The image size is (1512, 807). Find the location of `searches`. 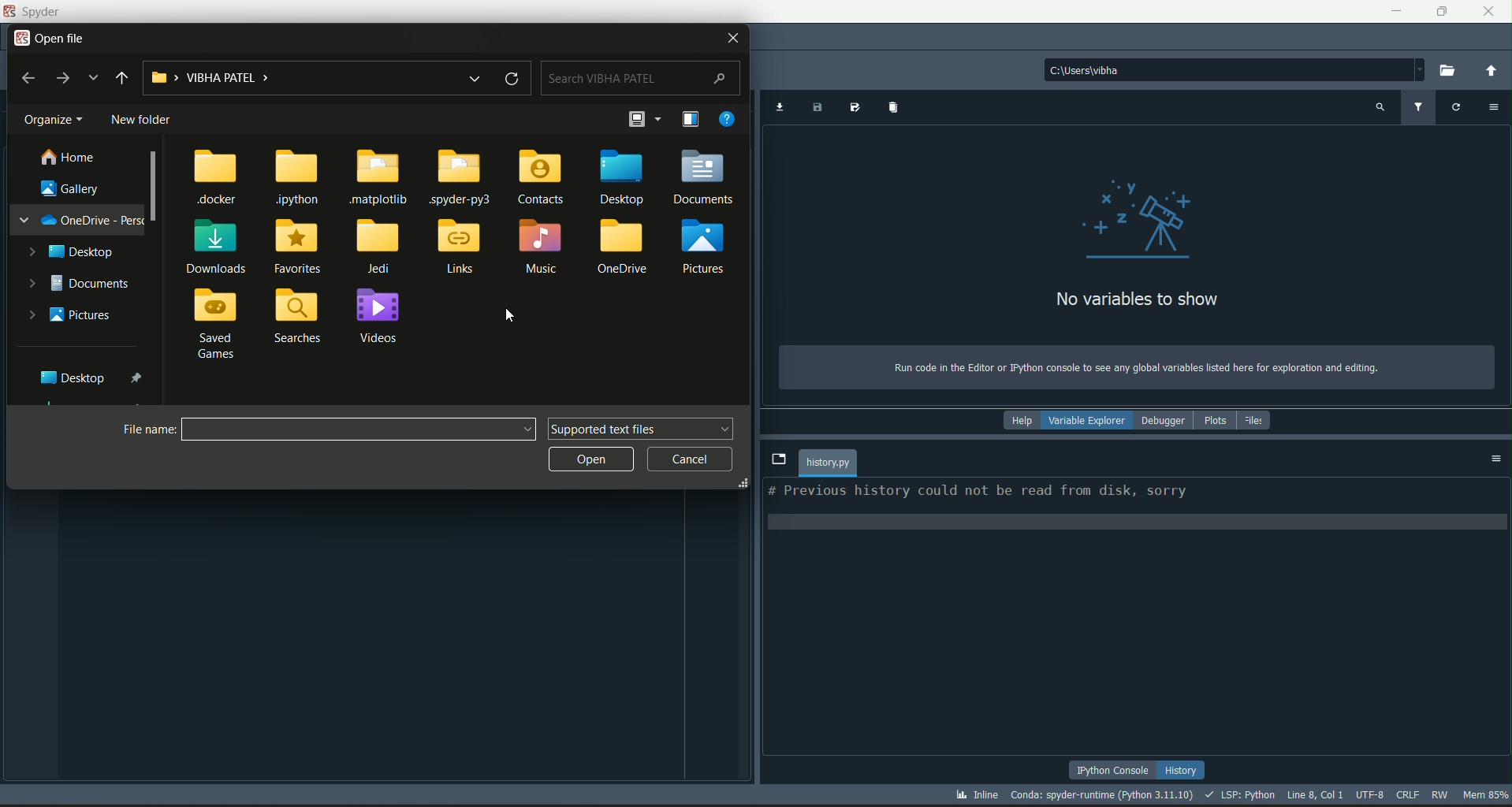

searches is located at coordinates (299, 317).